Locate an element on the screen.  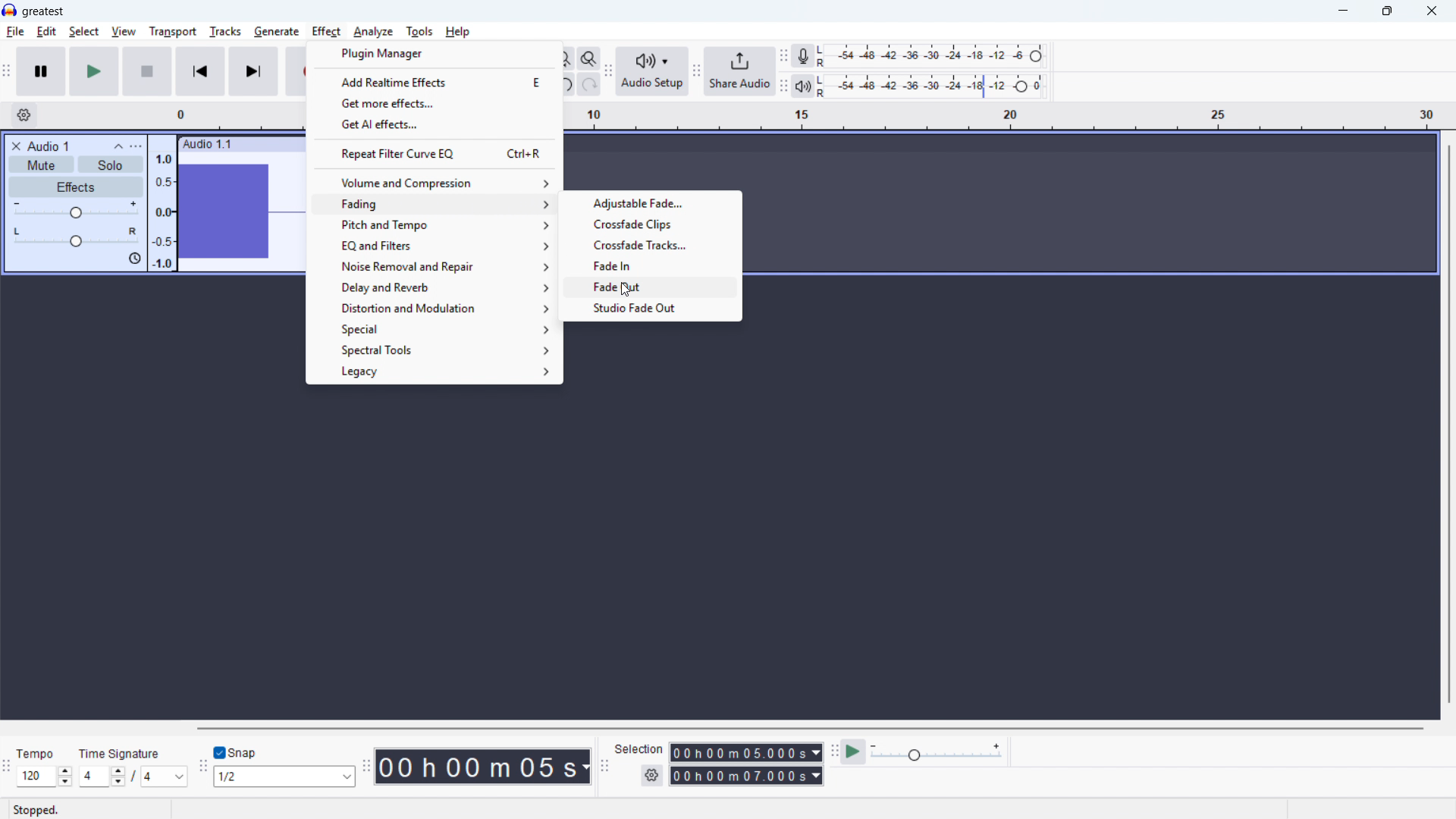
 is located at coordinates (119, 754).